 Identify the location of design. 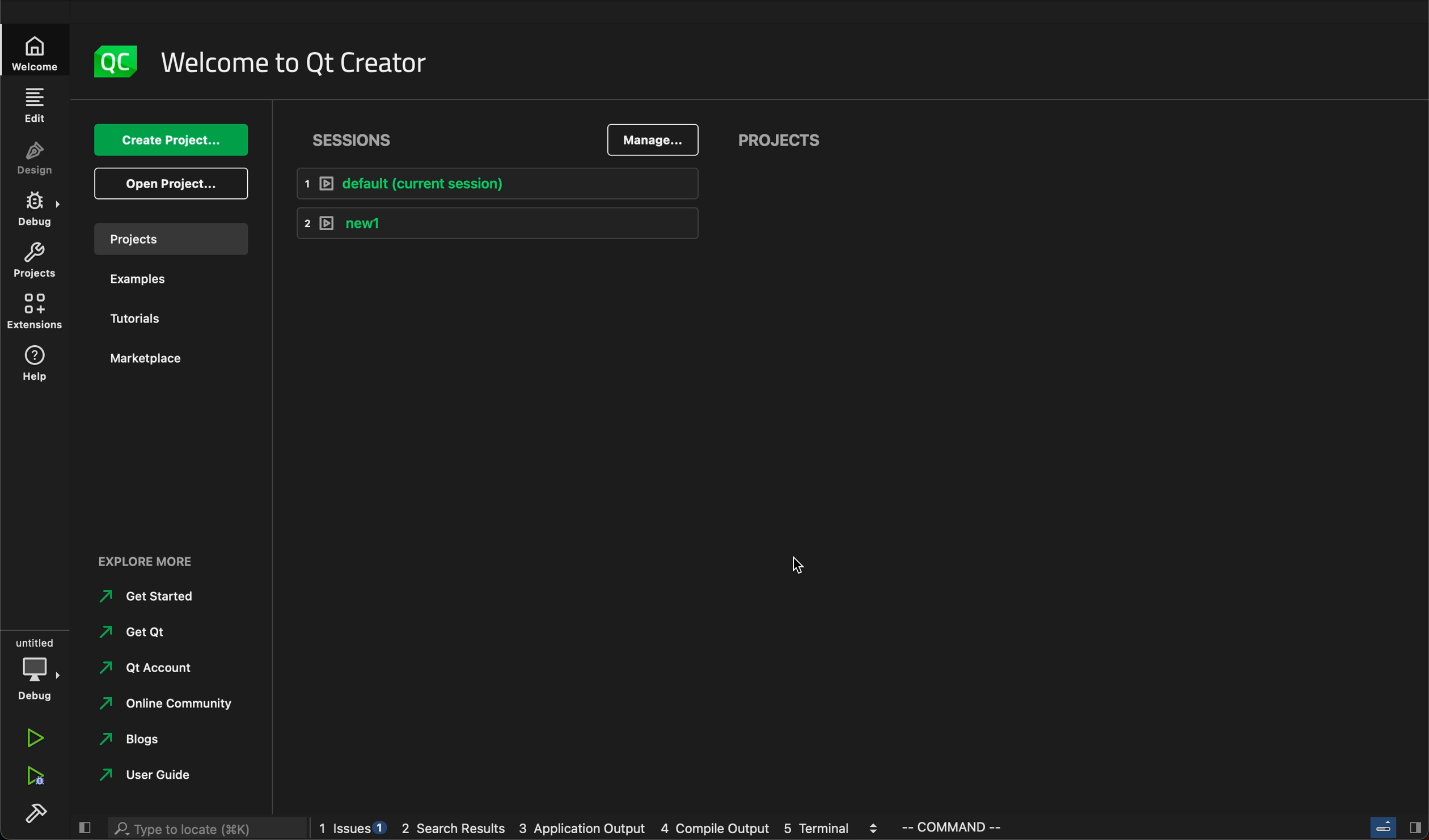
(35, 159).